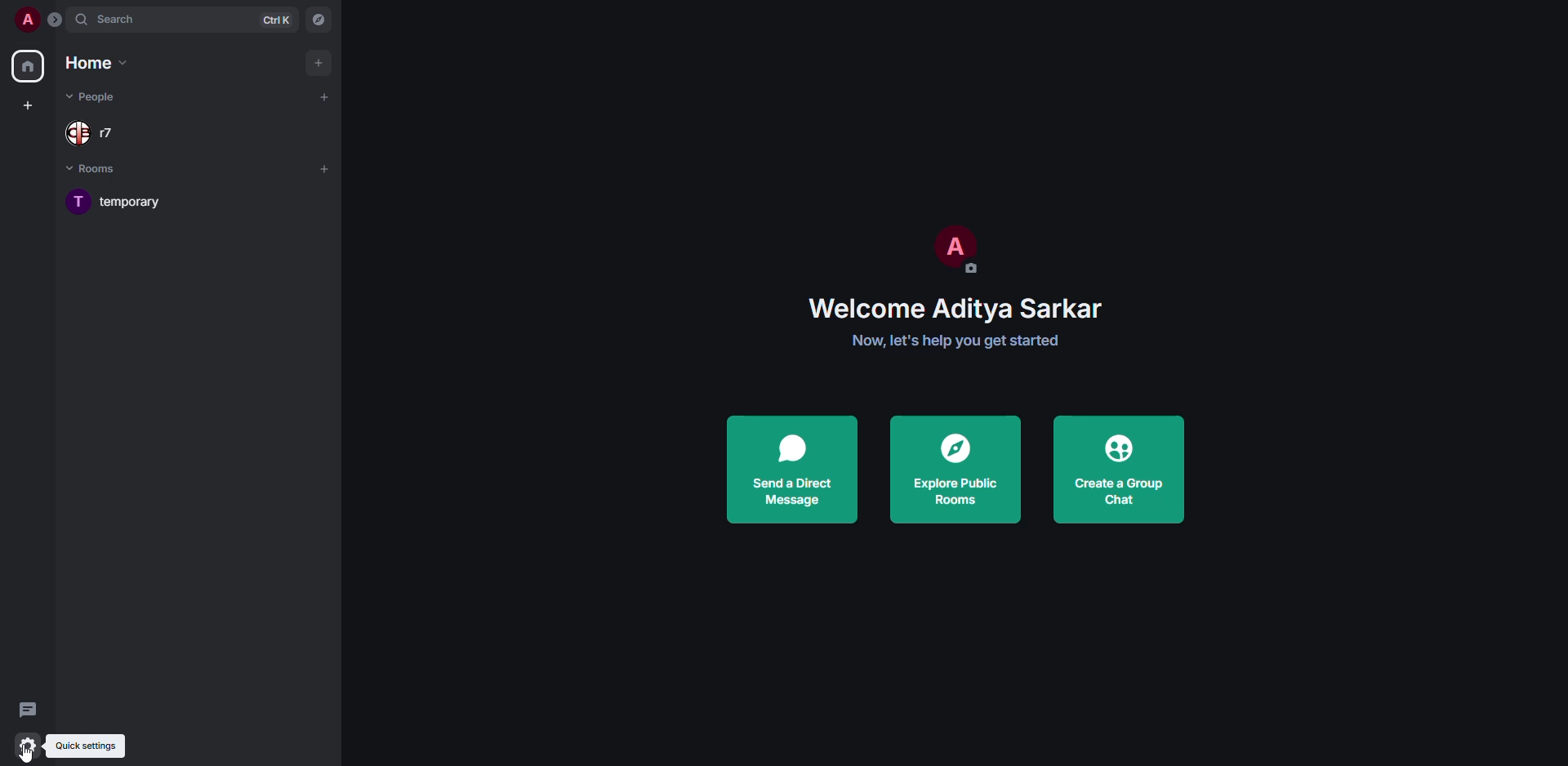 The image size is (1568, 766). What do you see at coordinates (55, 22) in the screenshot?
I see `expand` at bounding box center [55, 22].